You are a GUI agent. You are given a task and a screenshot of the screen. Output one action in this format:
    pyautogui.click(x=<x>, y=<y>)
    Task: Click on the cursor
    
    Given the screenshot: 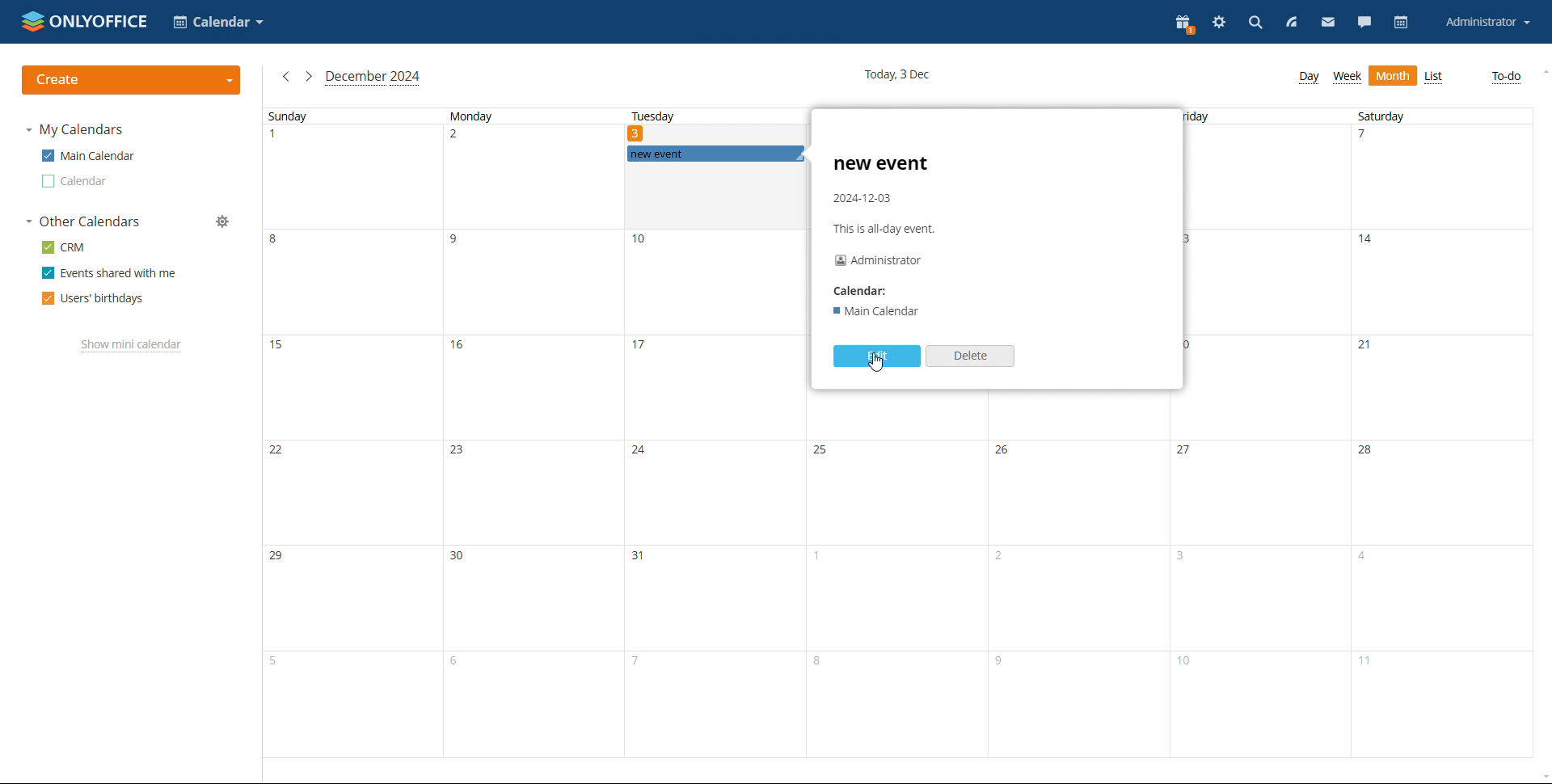 What is the action you would take?
    pyautogui.click(x=876, y=368)
    